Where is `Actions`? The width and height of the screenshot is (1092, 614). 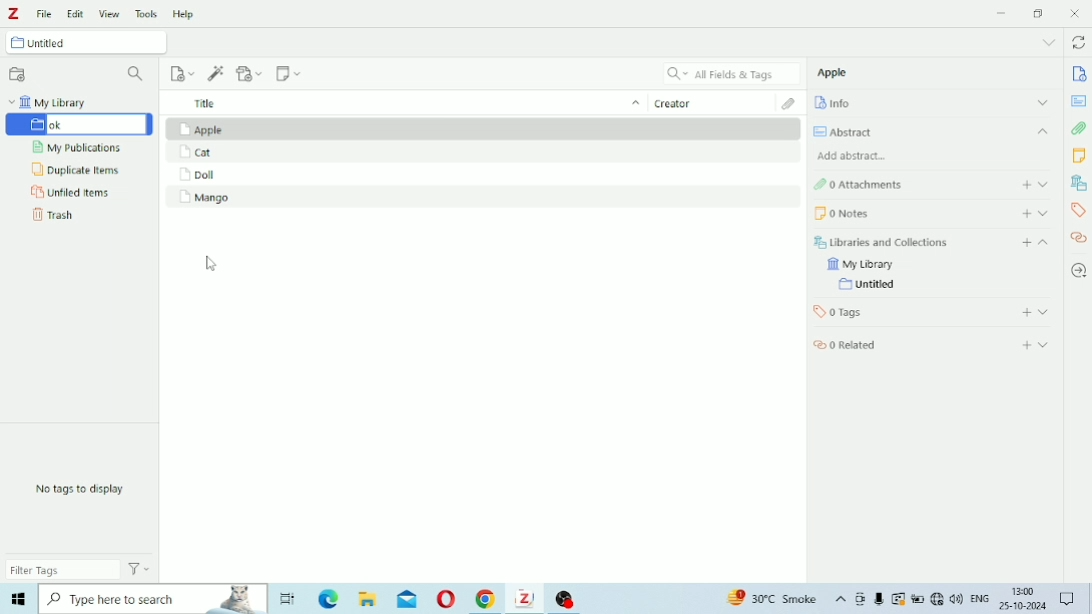 Actions is located at coordinates (142, 569).